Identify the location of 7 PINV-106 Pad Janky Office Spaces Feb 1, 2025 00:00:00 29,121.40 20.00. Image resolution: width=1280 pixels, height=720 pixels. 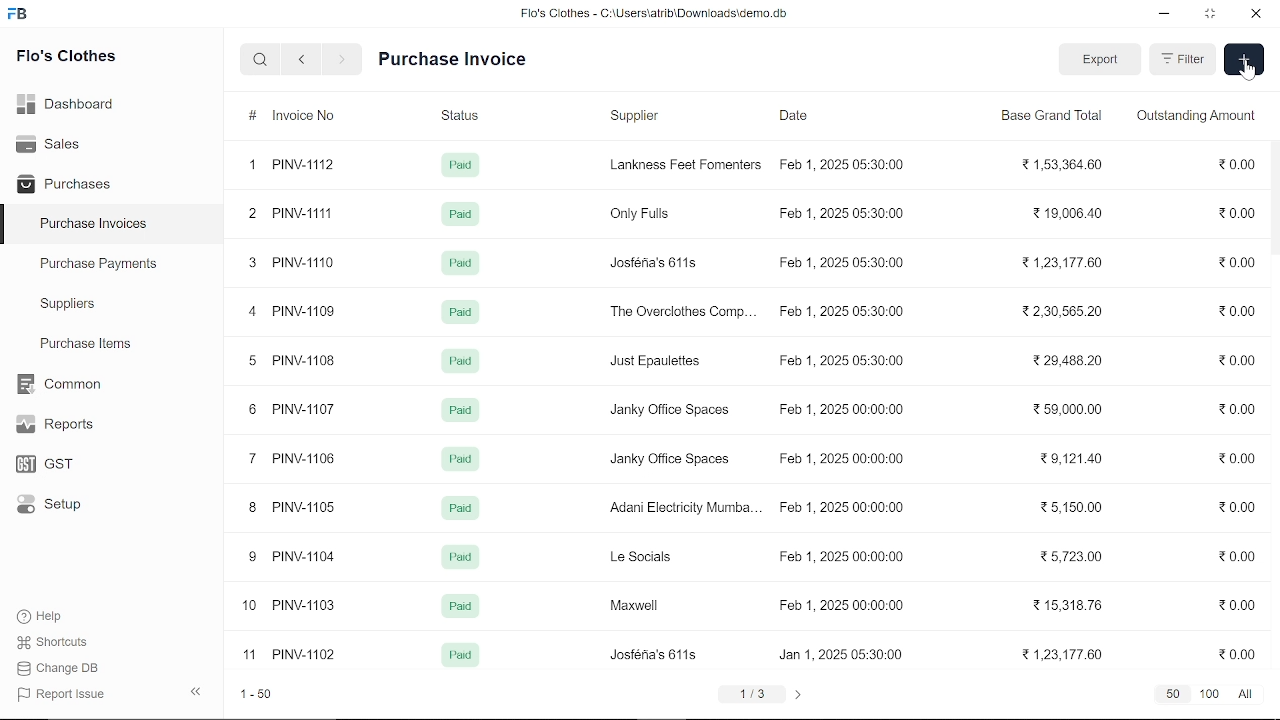
(746, 459).